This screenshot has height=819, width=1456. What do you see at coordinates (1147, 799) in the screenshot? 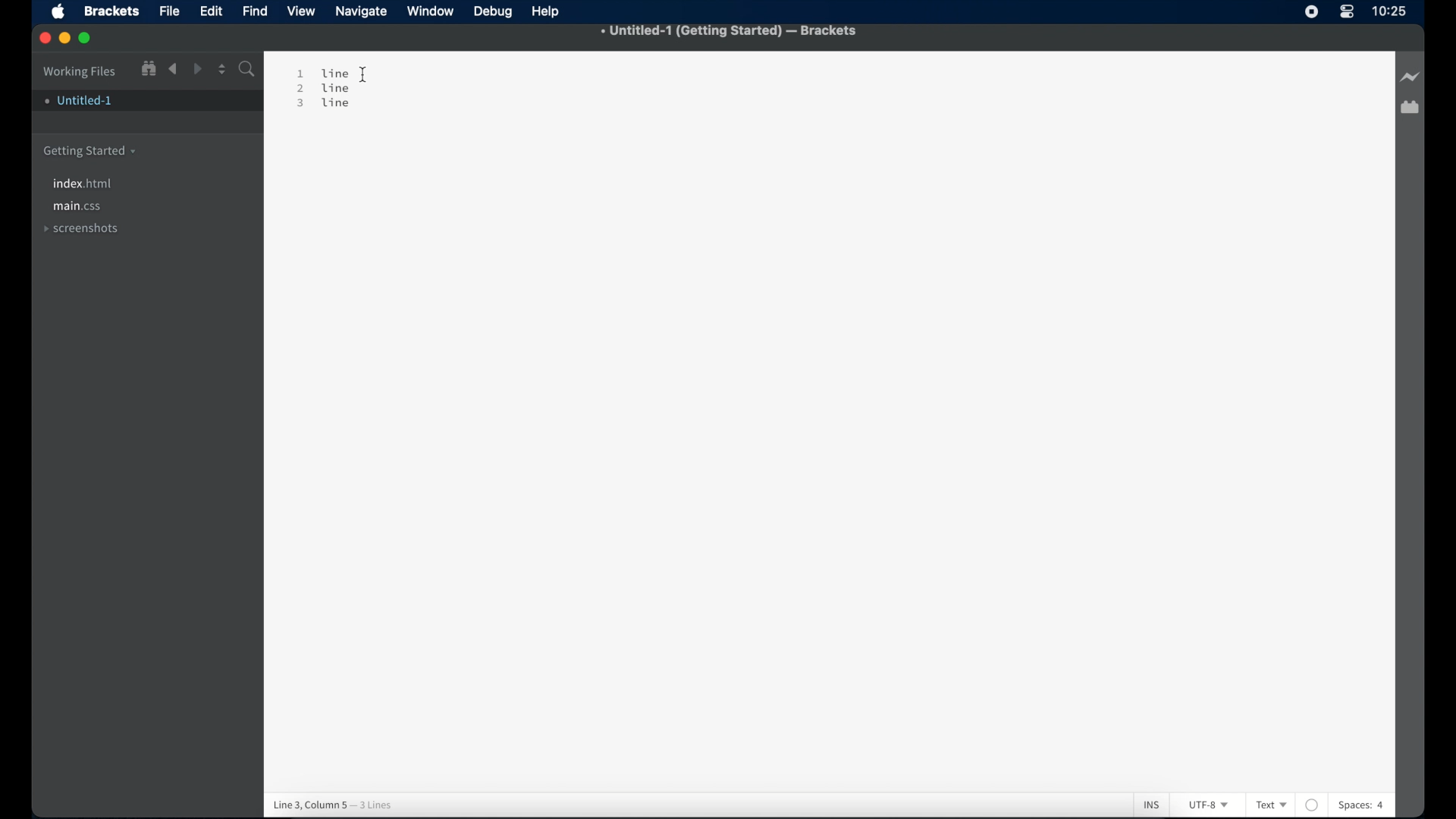
I see `ins` at bounding box center [1147, 799].